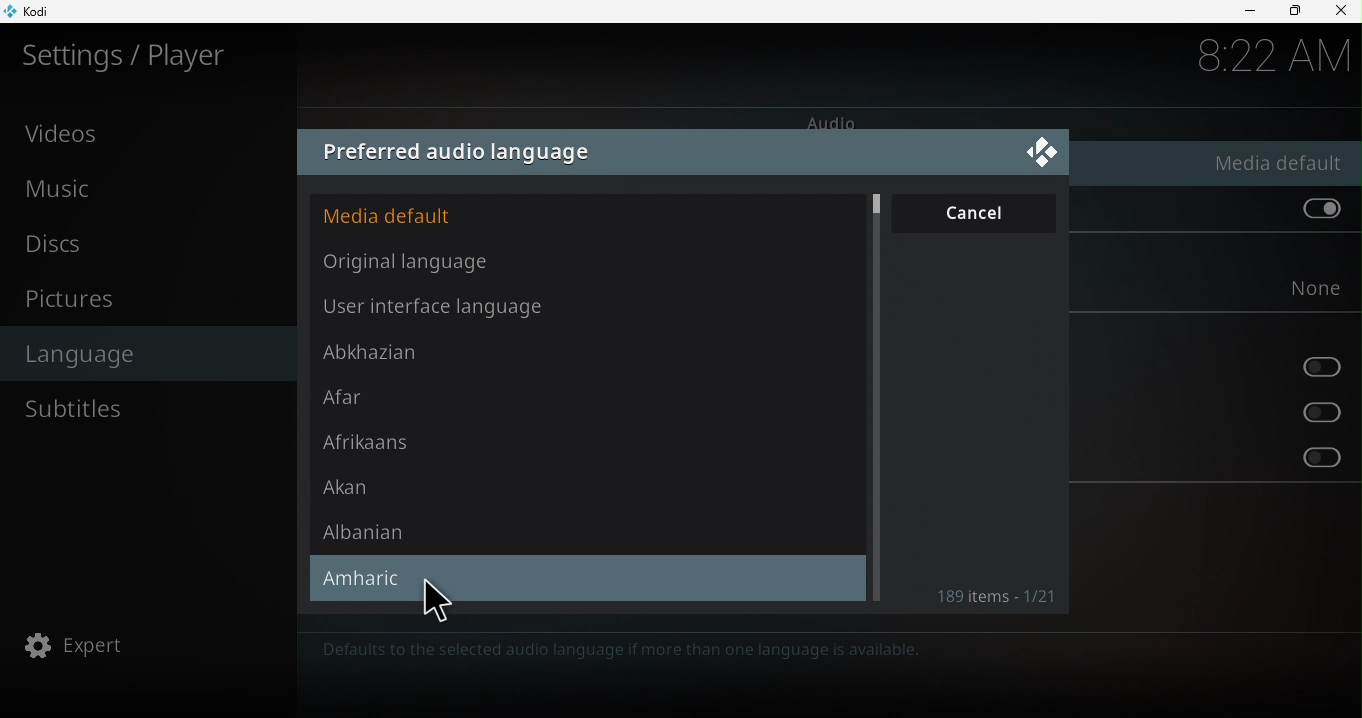  Describe the element at coordinates (127, 55) in the screenshot. I see `Settings/plater` at that location.